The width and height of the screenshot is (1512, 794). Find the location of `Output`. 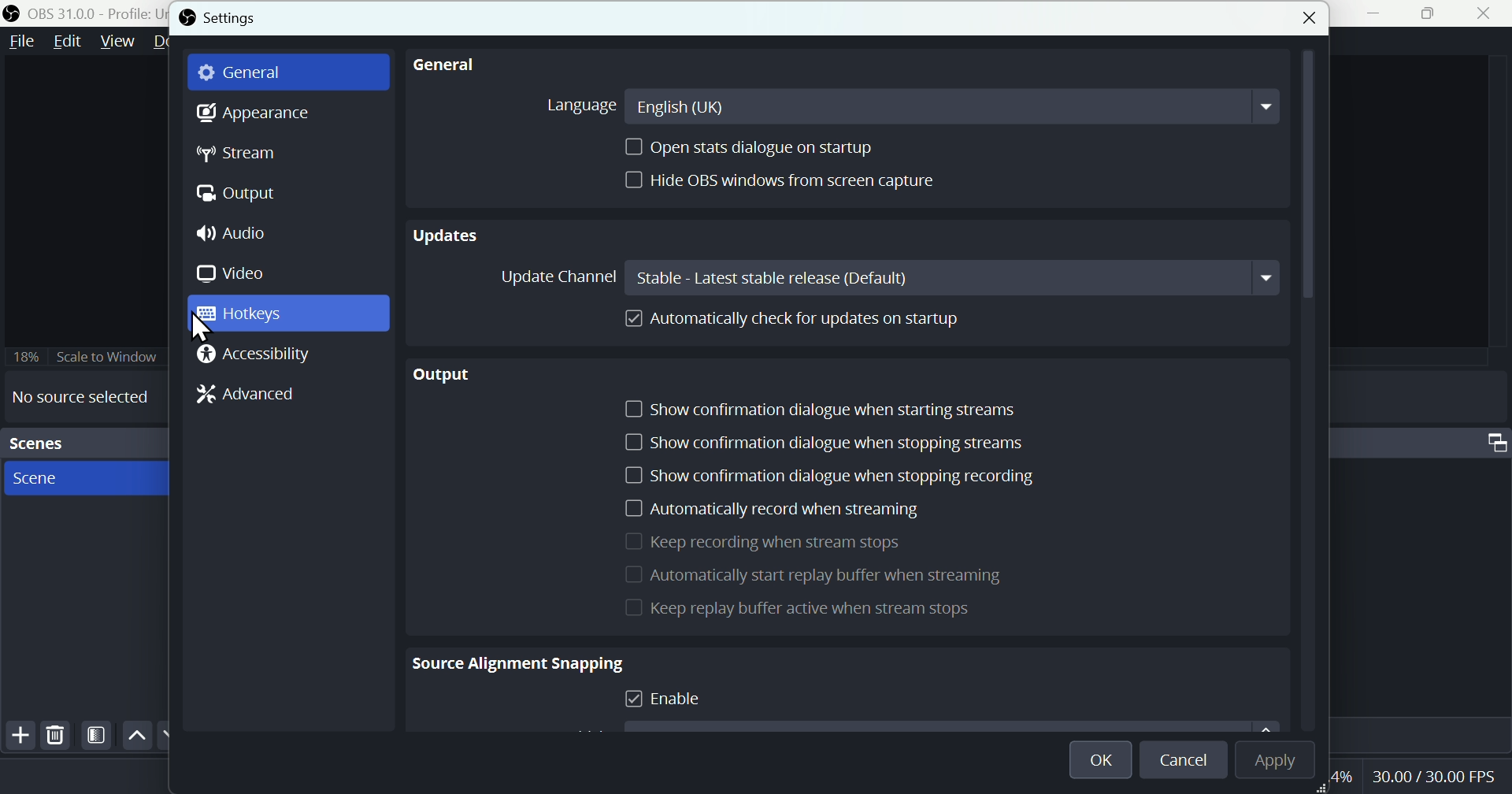

Output is located at coordinates (449, 376).